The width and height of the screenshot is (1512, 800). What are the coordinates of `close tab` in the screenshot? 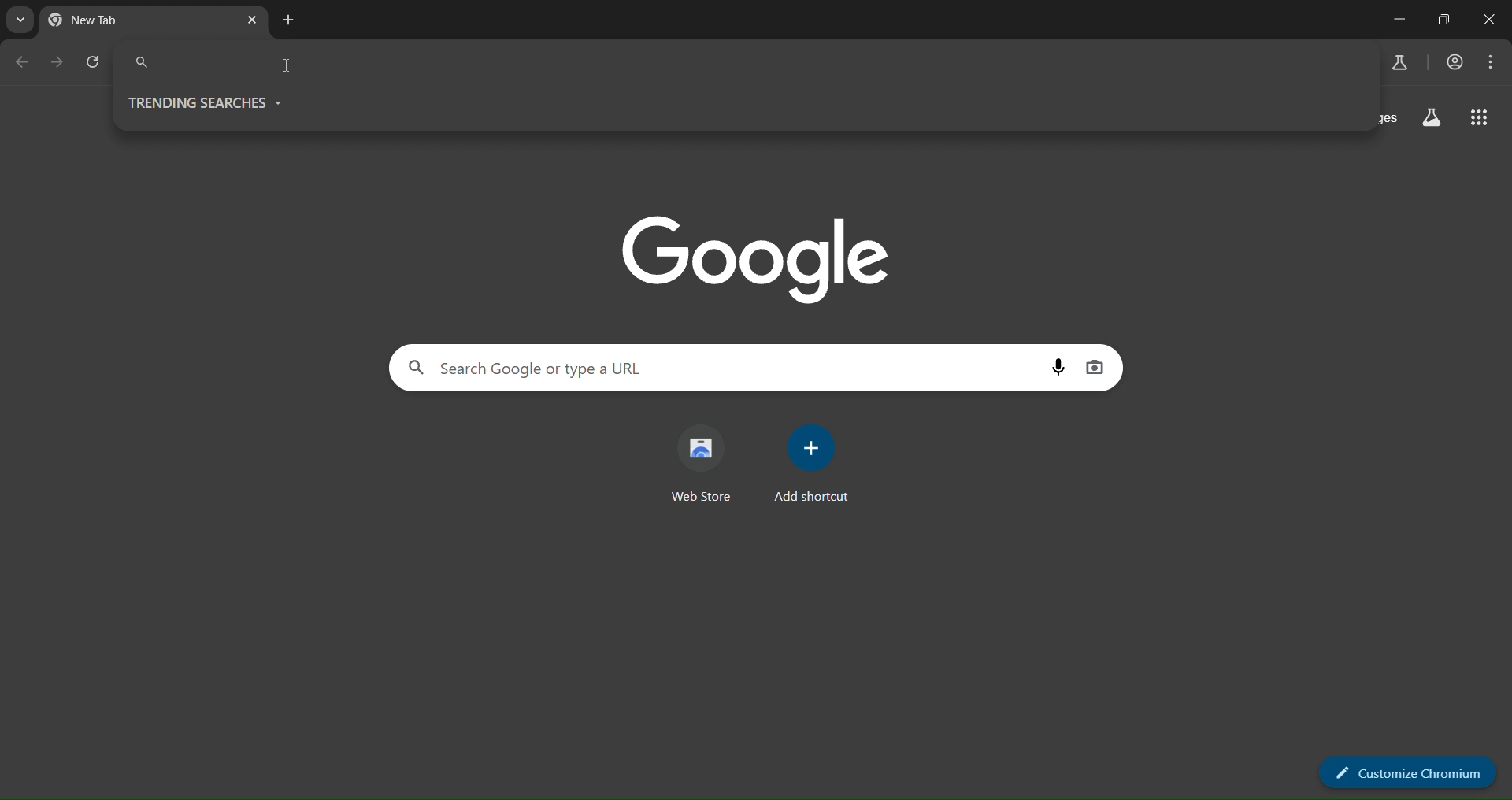 It's located at (256, 20).